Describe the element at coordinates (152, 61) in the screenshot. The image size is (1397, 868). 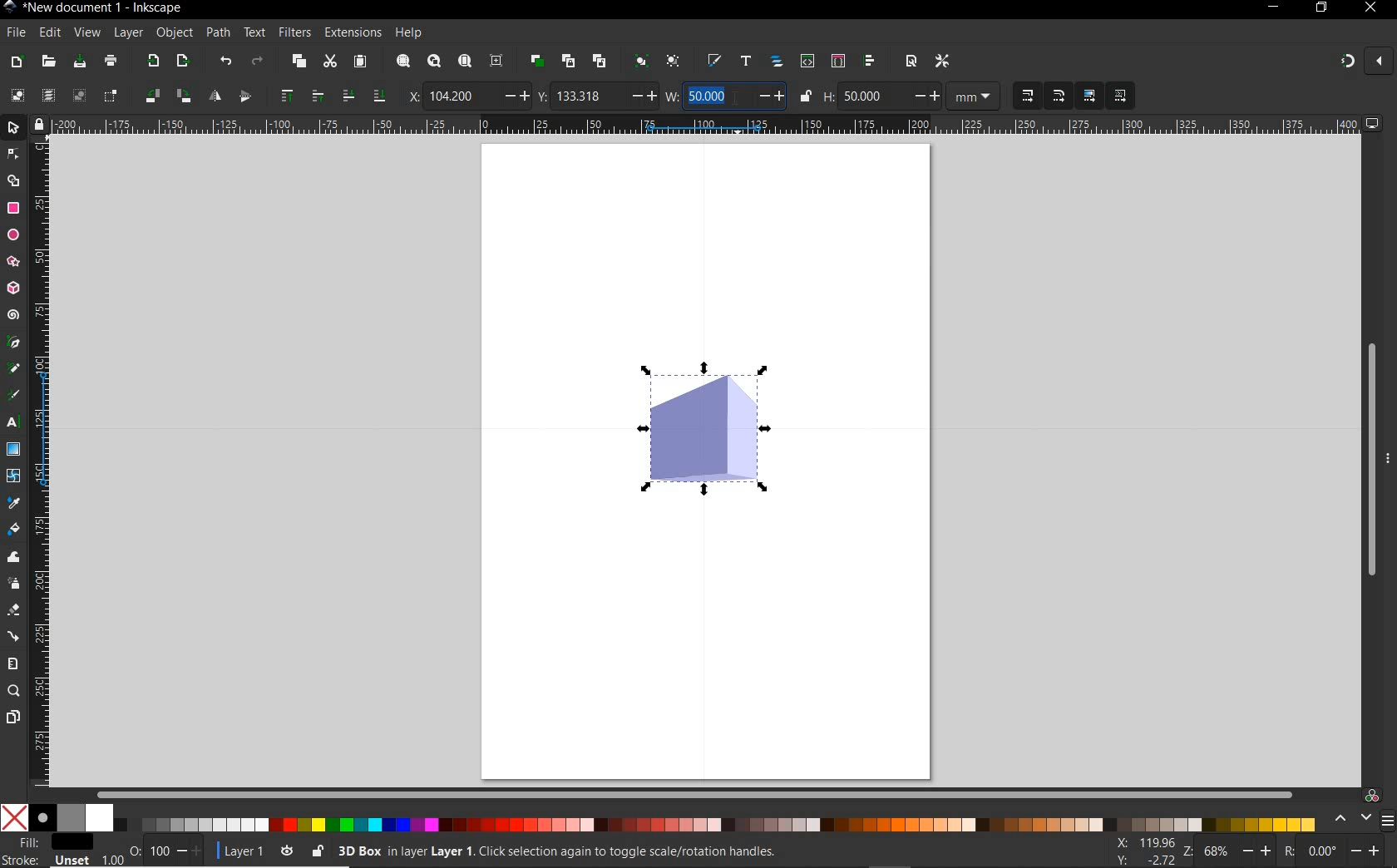
I see `import` at that location.